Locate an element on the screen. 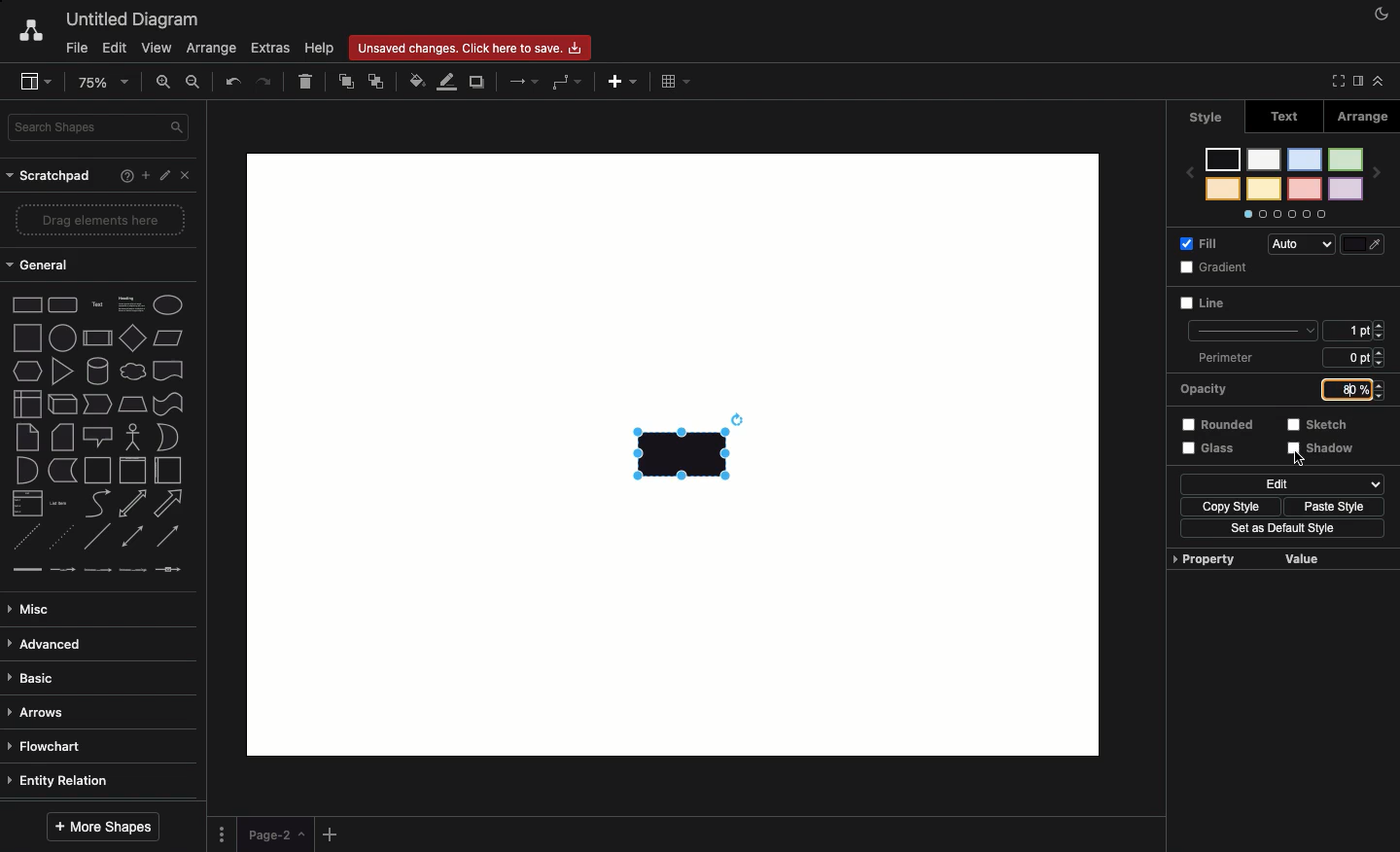  next is located at coordinates (1375, 172).